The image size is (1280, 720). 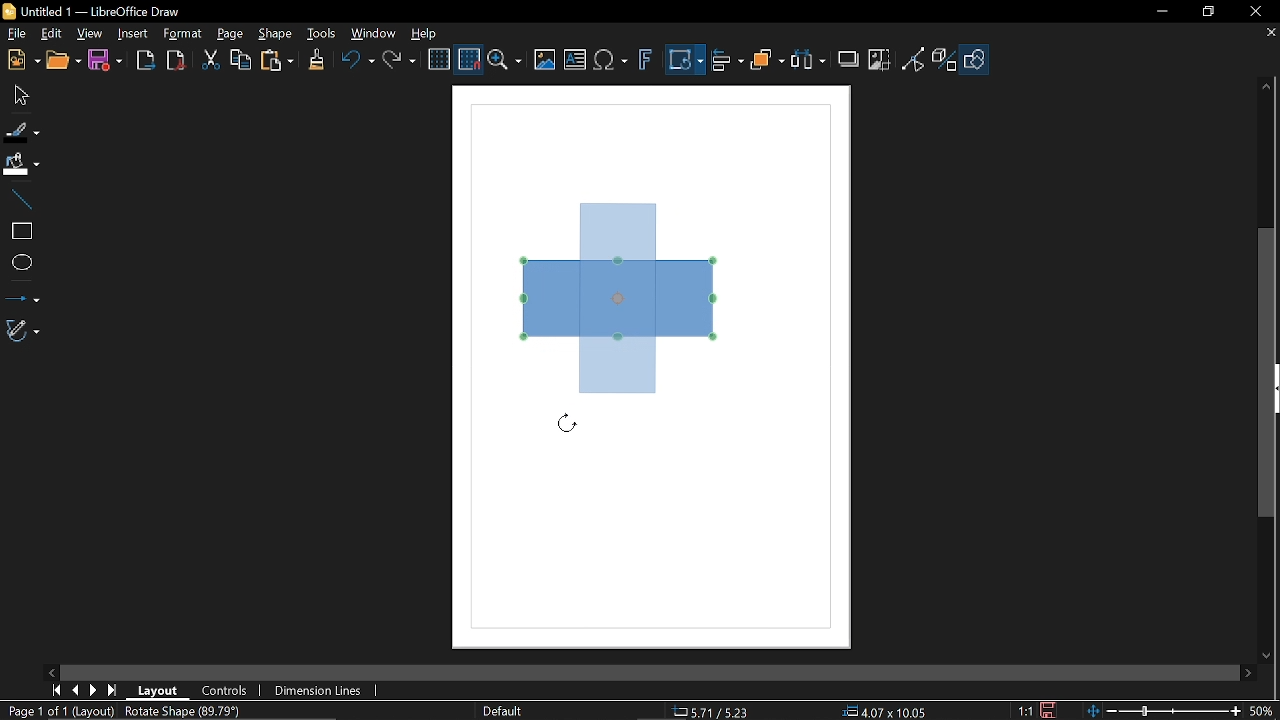 What do you see at coordinates (645, 62) in the screenshot?
I see `Insert fontwork` at bounding box center [645, 62].